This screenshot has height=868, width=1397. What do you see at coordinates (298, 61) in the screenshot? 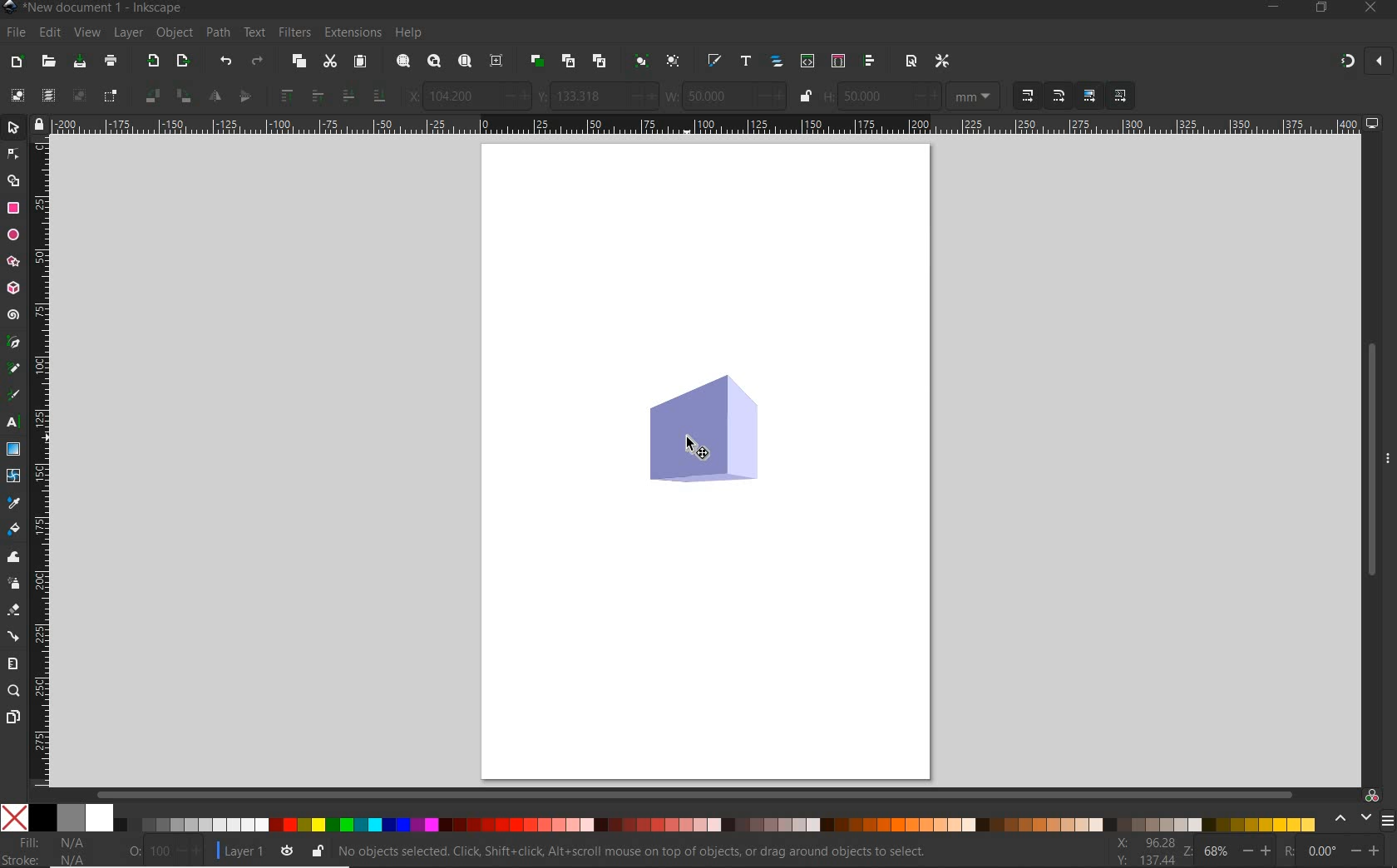
I see `copy` at bounding box center [298, 61].